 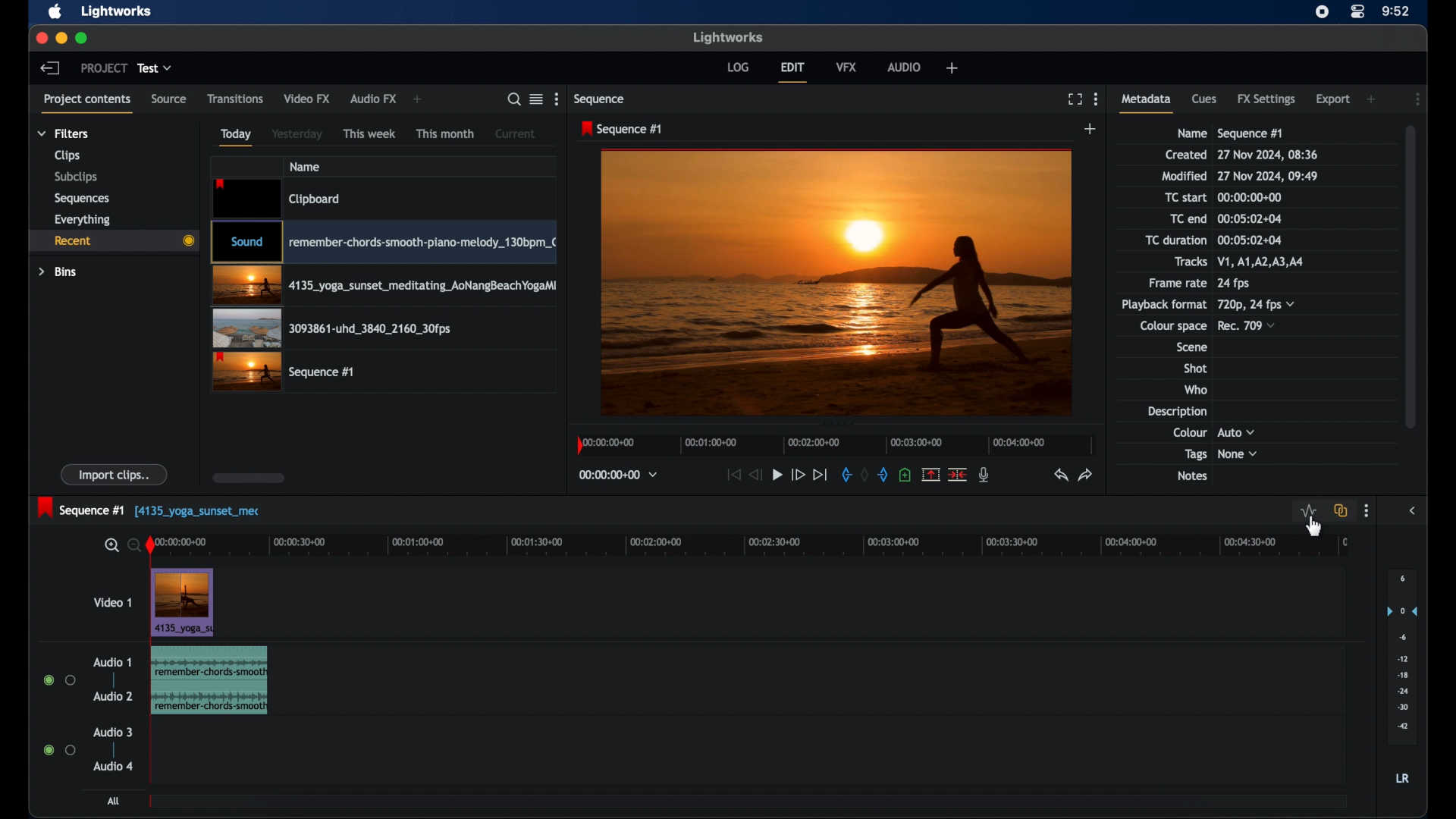 I want to click on sequence, so click(x=601, y=100).